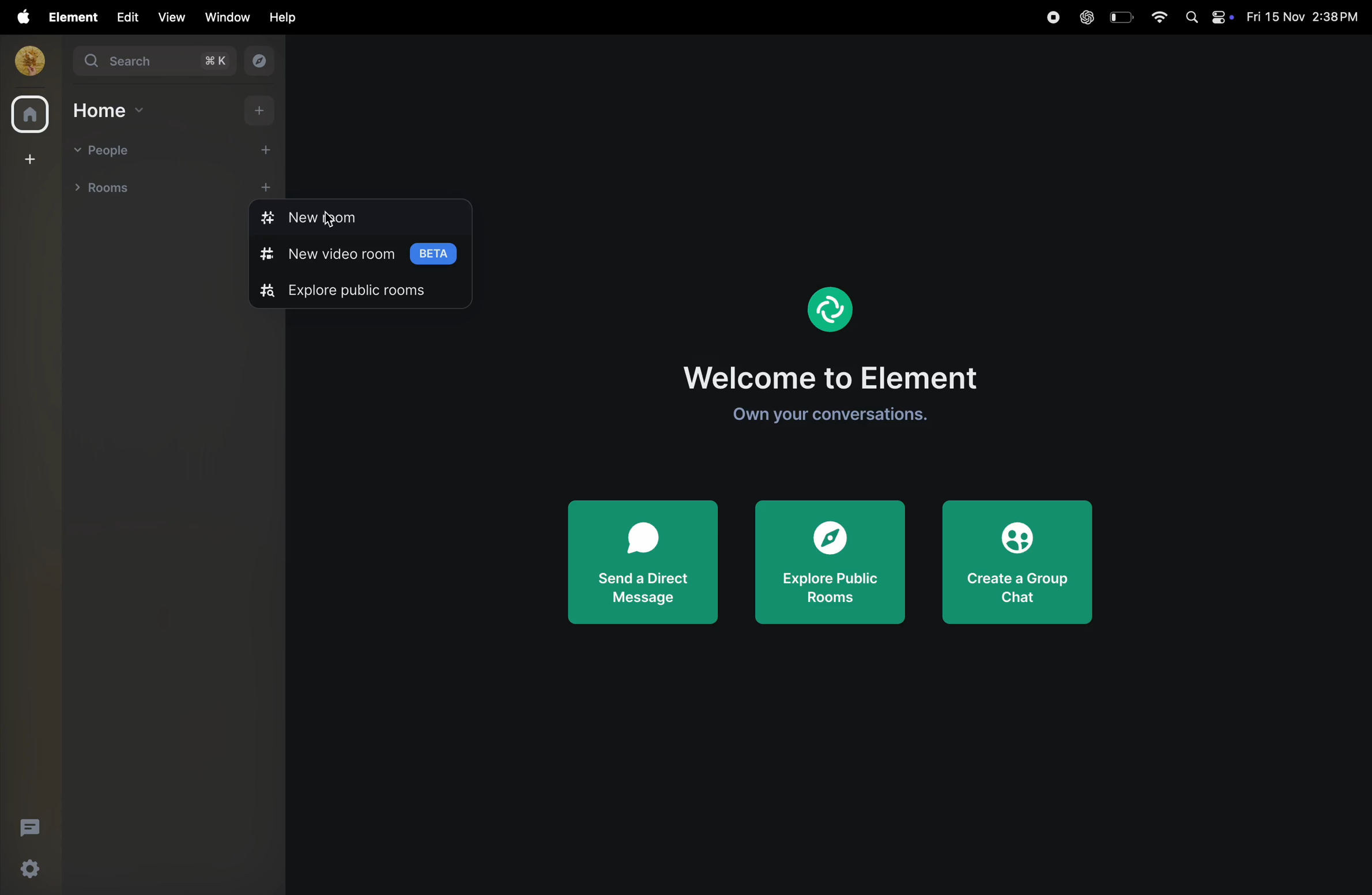 Image resolution: width=1372 pixels, height=895 pixels. Describe the element at coordinates (830, 565) in the screenshot. I see `explore public room` at that location.